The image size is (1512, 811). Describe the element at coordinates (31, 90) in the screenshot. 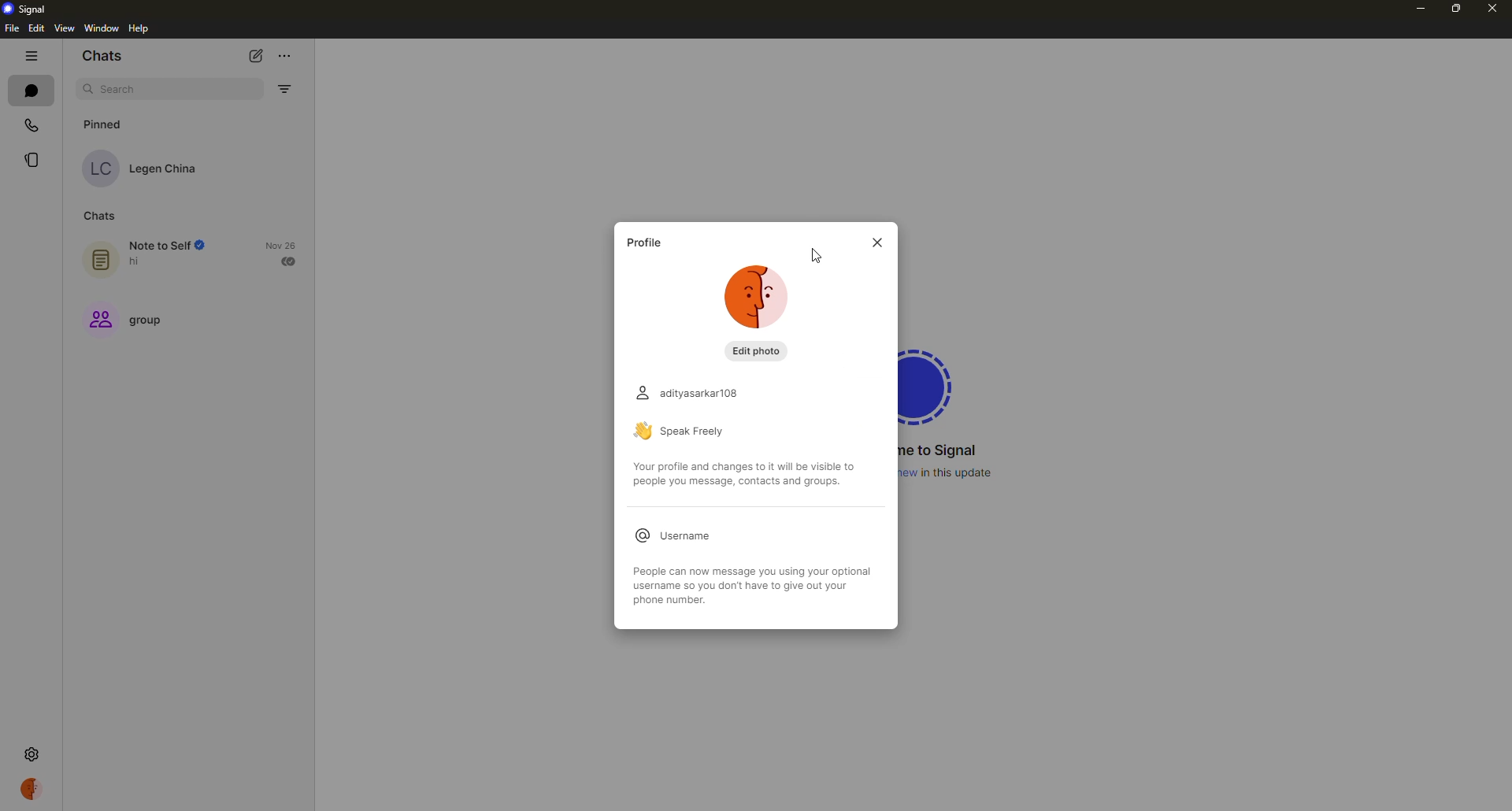

I see `chats` at that location.